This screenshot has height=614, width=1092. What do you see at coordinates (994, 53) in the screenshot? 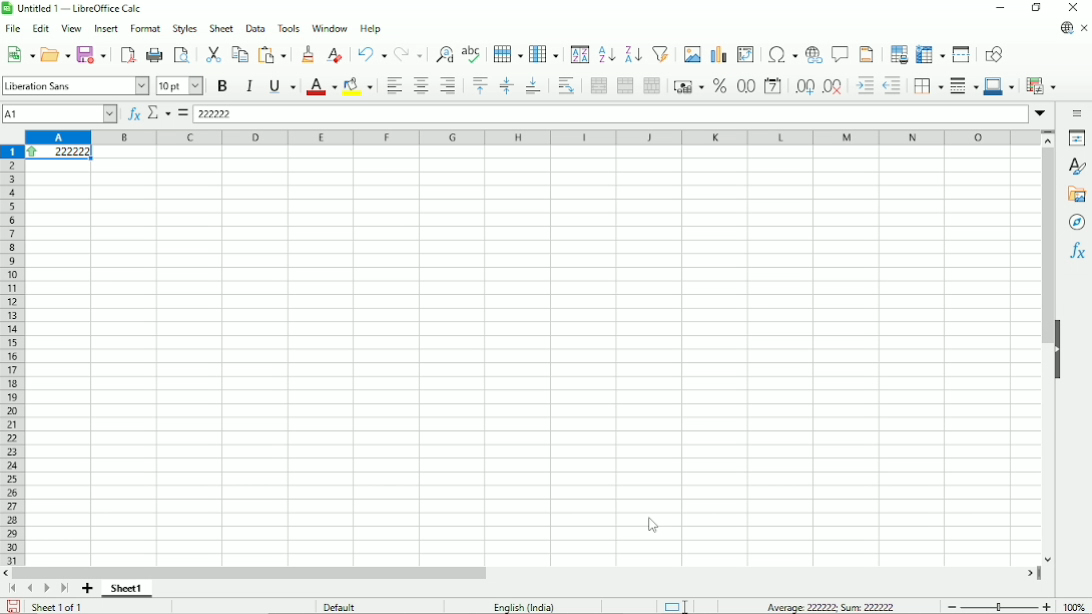
I see `Show draw functions` at bounding box center [994, 53].